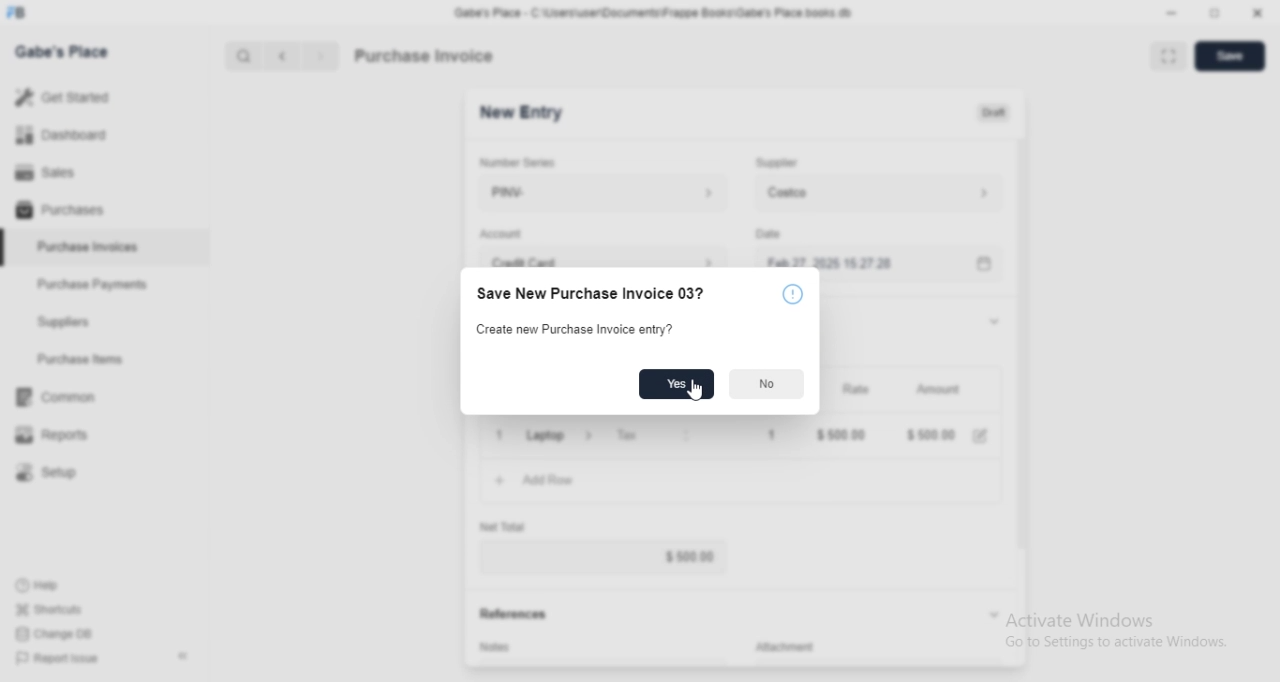 The width and height of the screenshot is (1280, 682). Describe the element at coordinates (695, 390) in the screenshot. I see `Cursor` at that location.